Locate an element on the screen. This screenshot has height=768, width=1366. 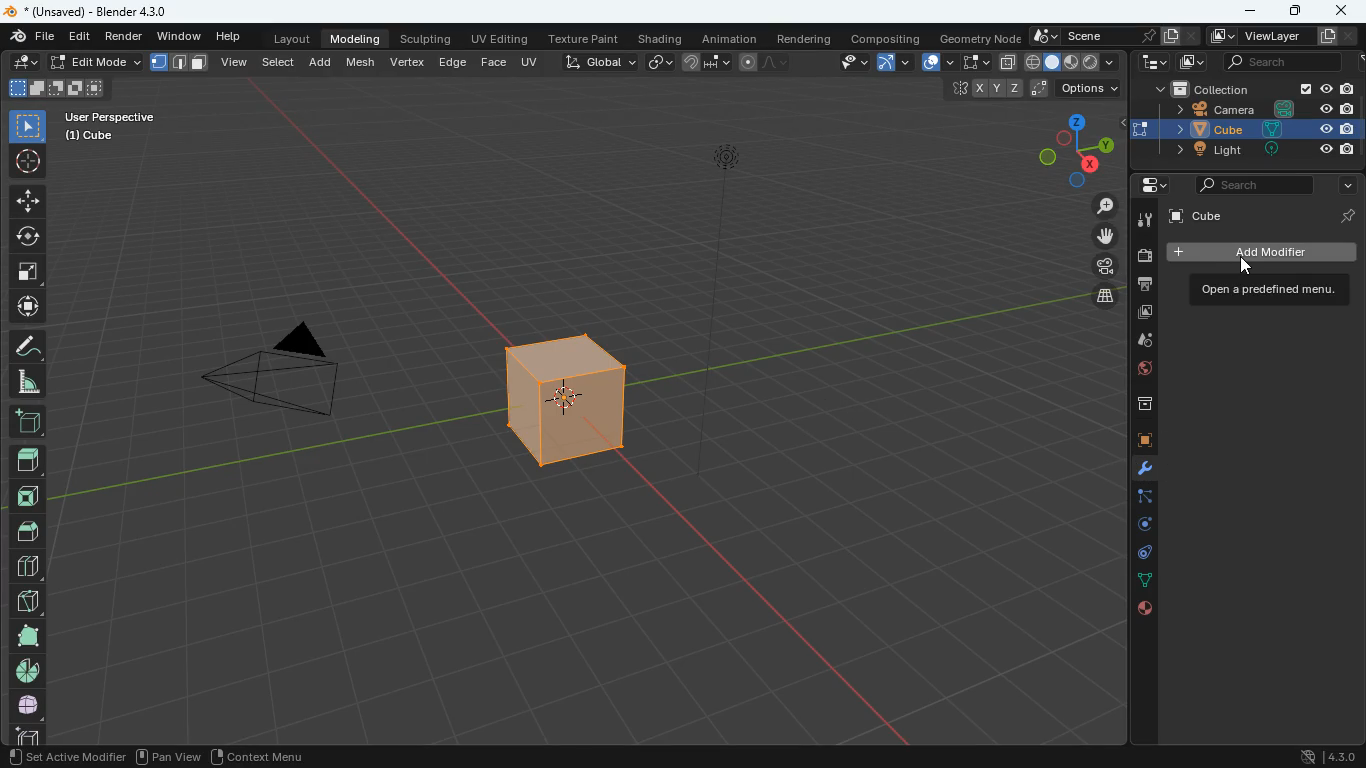
uv is located at coordinates (532, 61).